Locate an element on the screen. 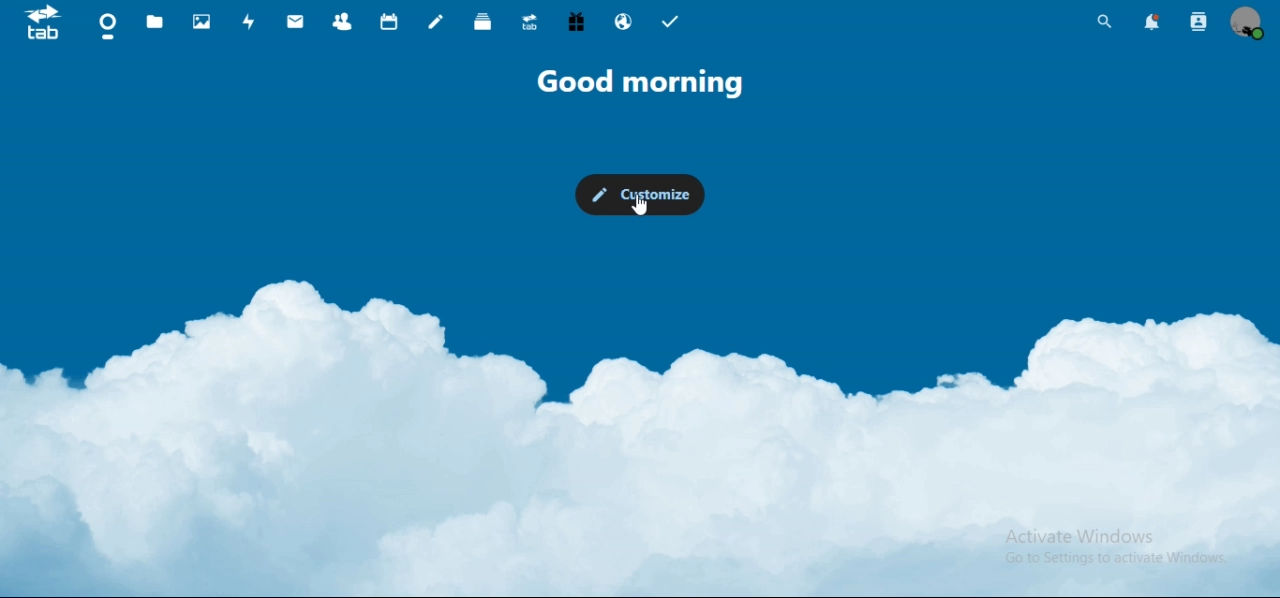 The height and width of the screenshot is (598, 1280). mail is located at coordinates (296, 21).